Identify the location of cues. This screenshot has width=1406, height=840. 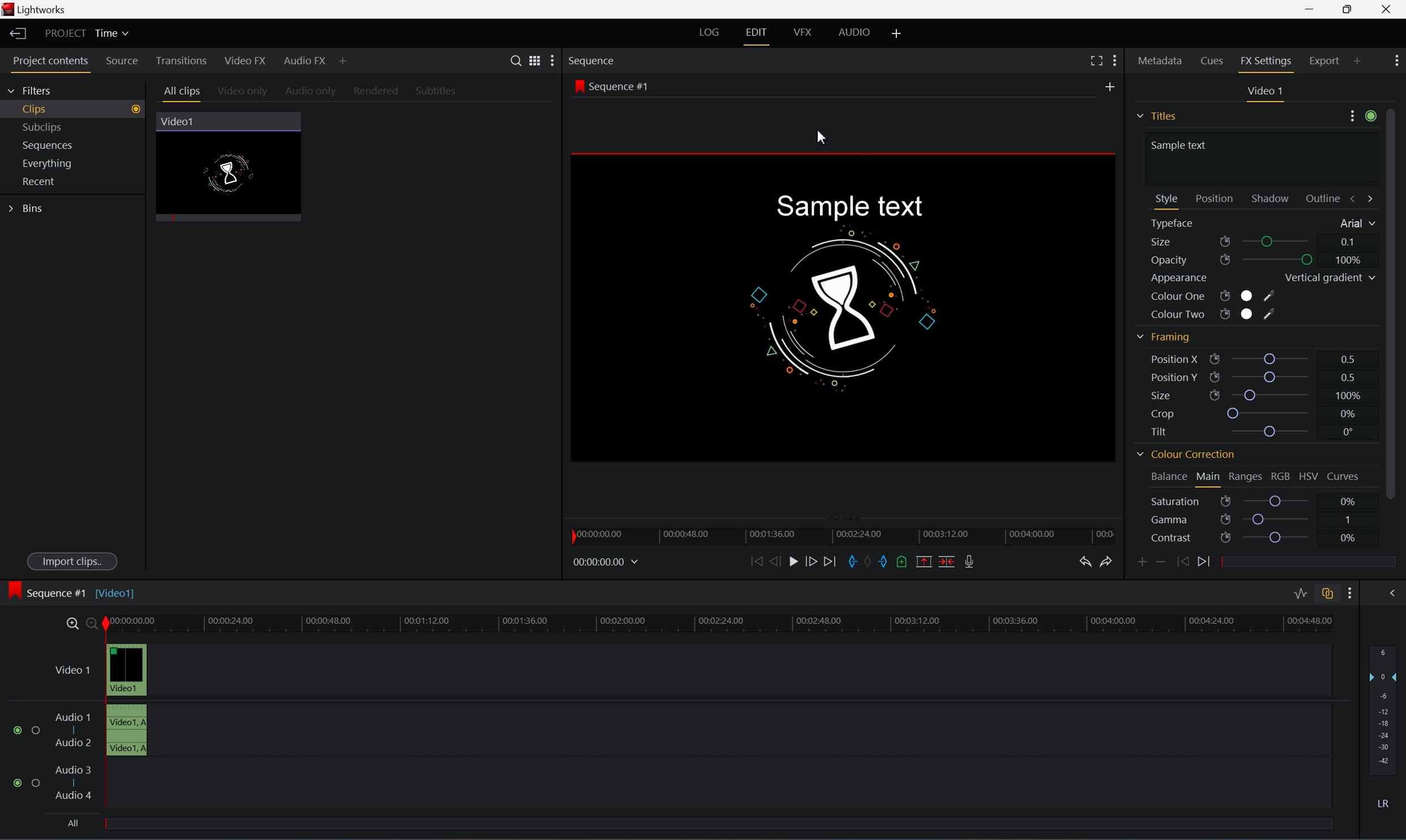
(1213, 63).